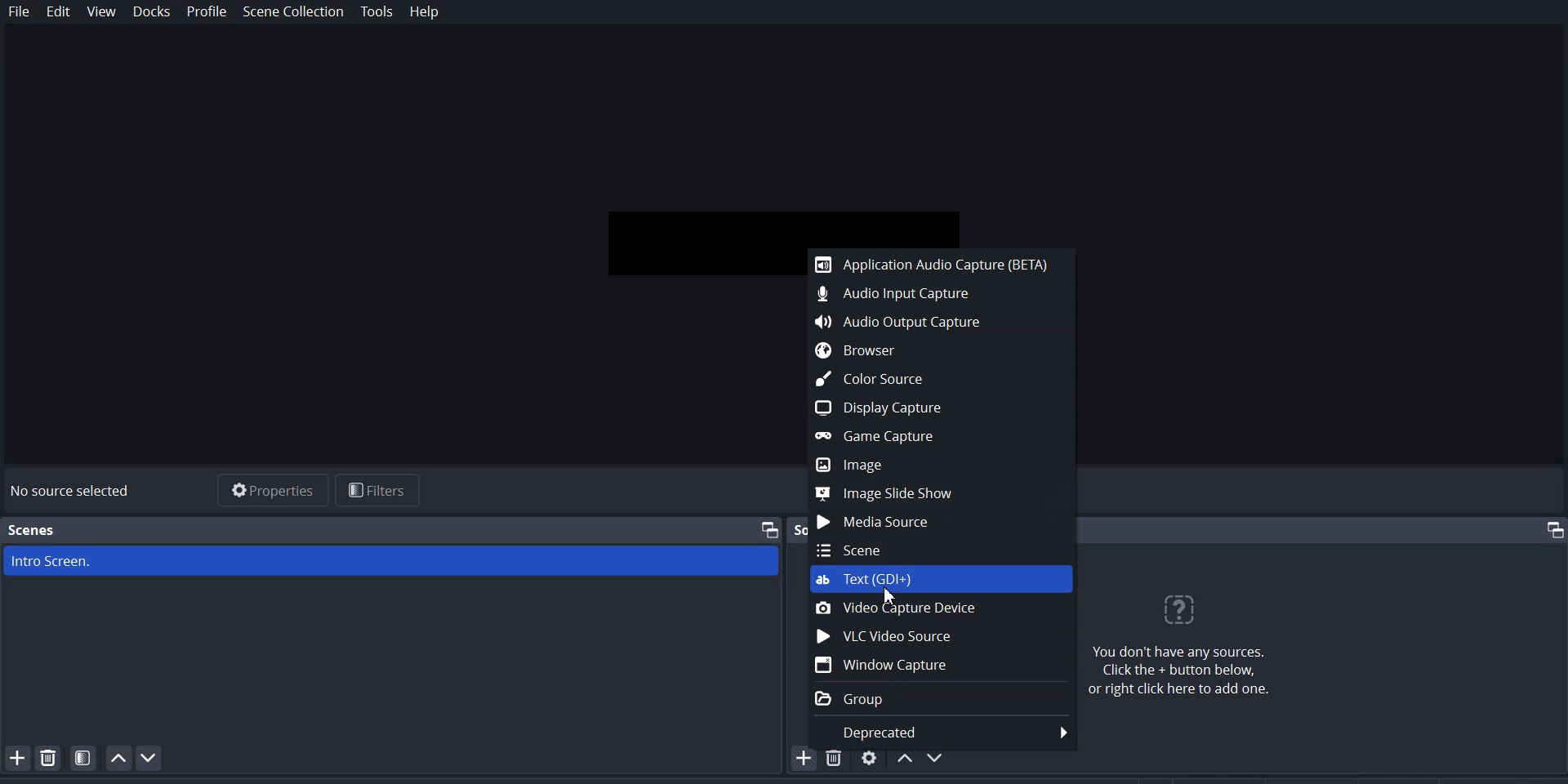 This screenshot has height=784, width=1568. I want to click on Audio Output Capture, so click(933, 318).